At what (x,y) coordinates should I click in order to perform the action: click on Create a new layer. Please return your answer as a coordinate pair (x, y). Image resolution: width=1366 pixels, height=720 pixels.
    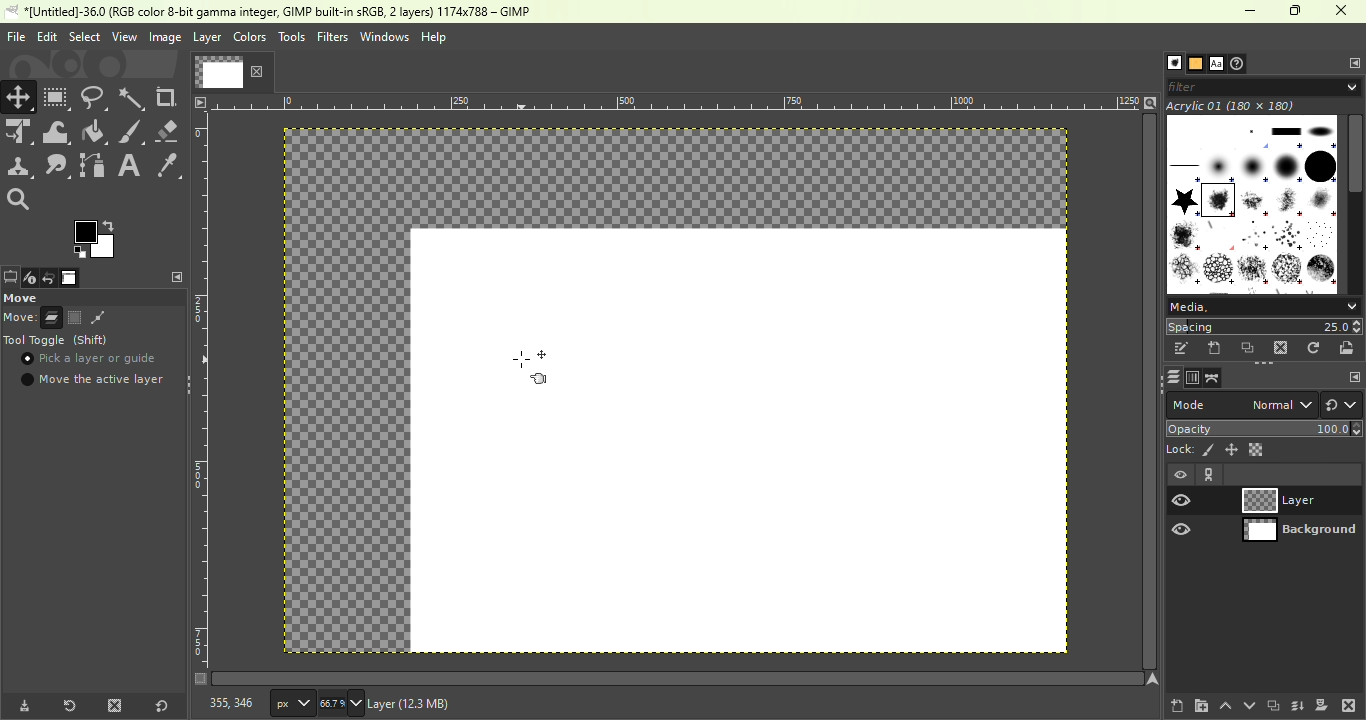
    Looking at the image, I should click on (1177, 703).